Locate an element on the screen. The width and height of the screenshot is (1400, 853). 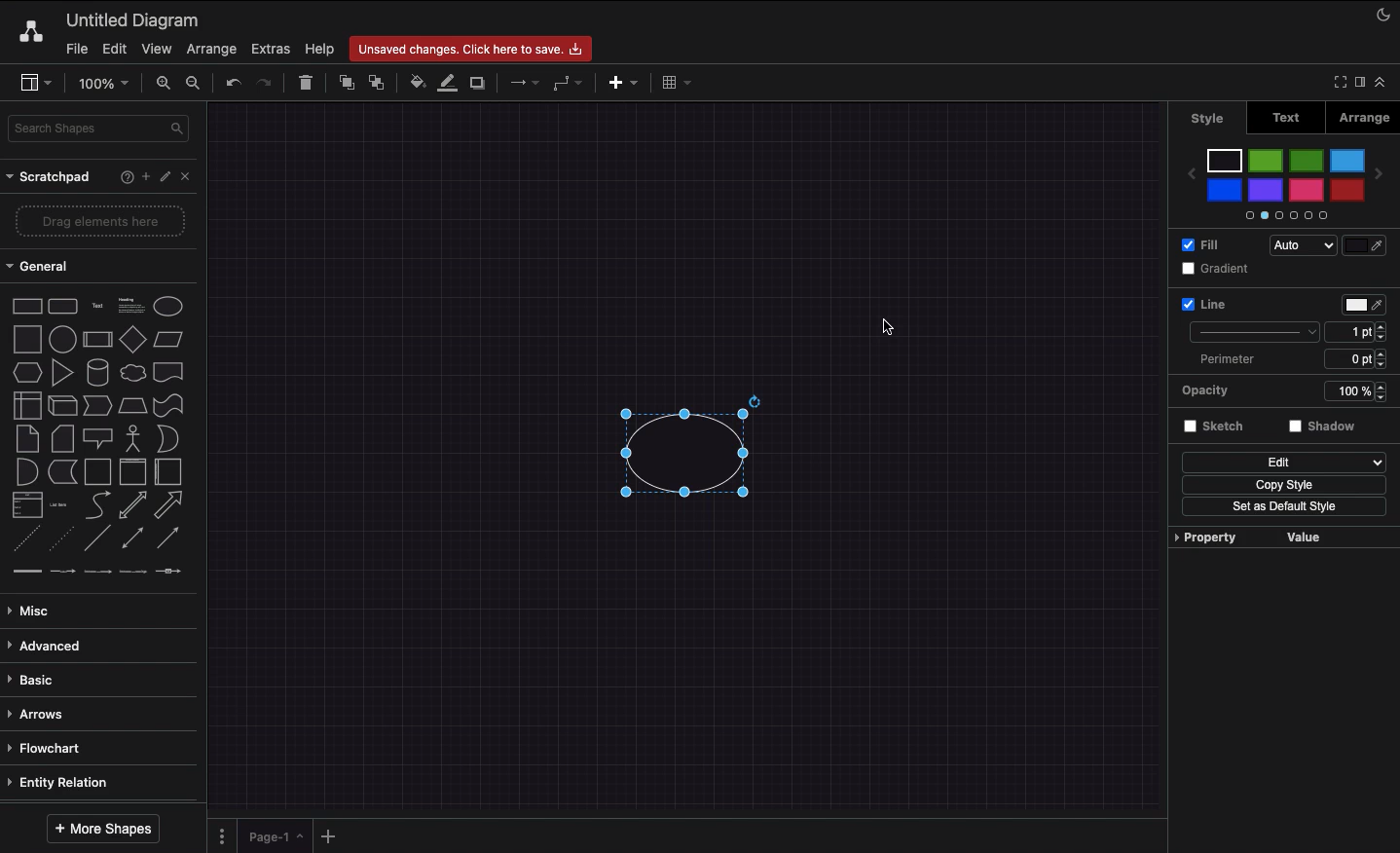
Help is located at coordinates (319, 48).